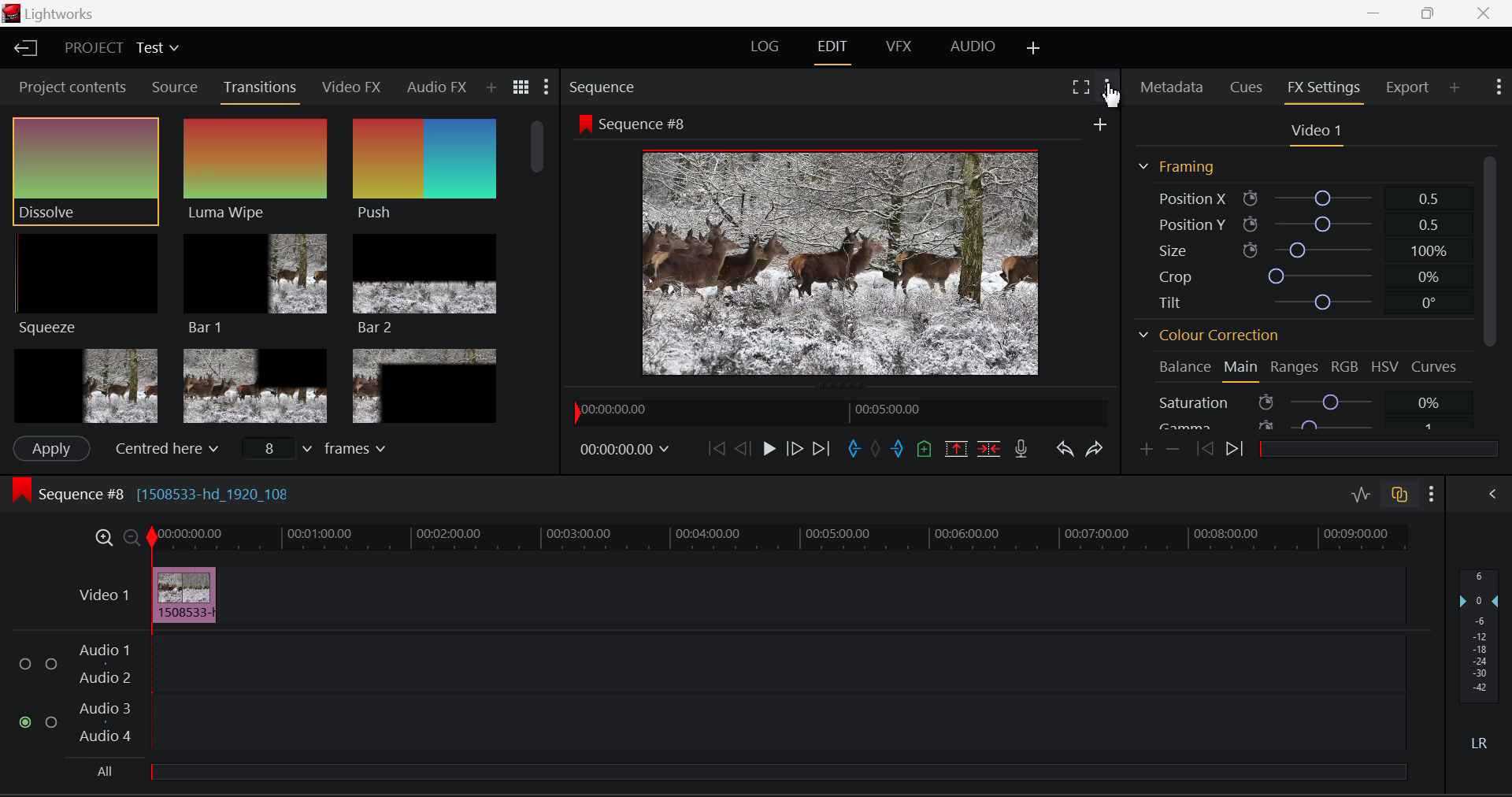 The height and width of the screenshot is (797, 1512). Describe the element at coordinates (492, 89) in the screenshot. I see `Add Panel` at that location.